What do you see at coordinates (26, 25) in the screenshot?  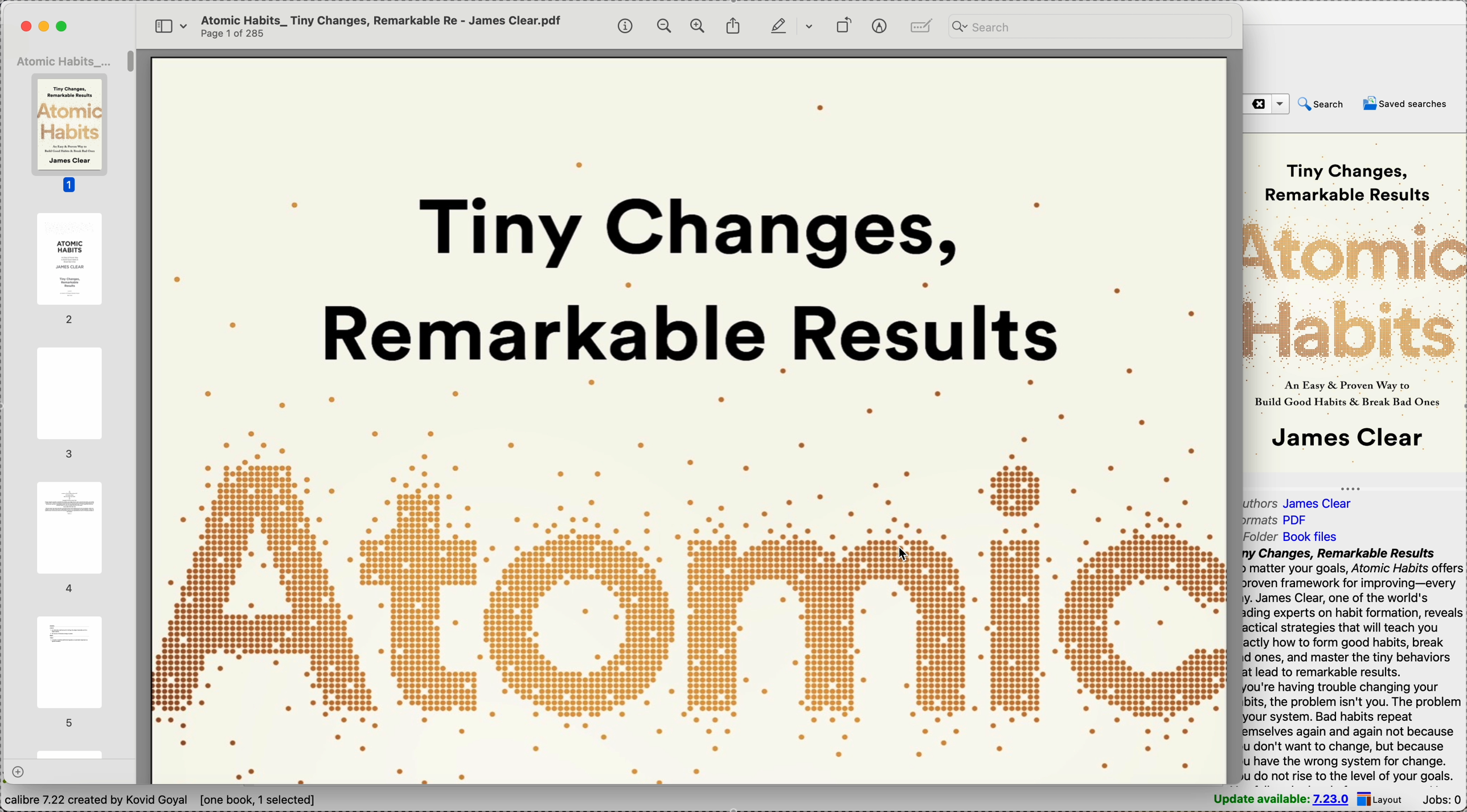 I see `close` at bounding box center [26, 25].